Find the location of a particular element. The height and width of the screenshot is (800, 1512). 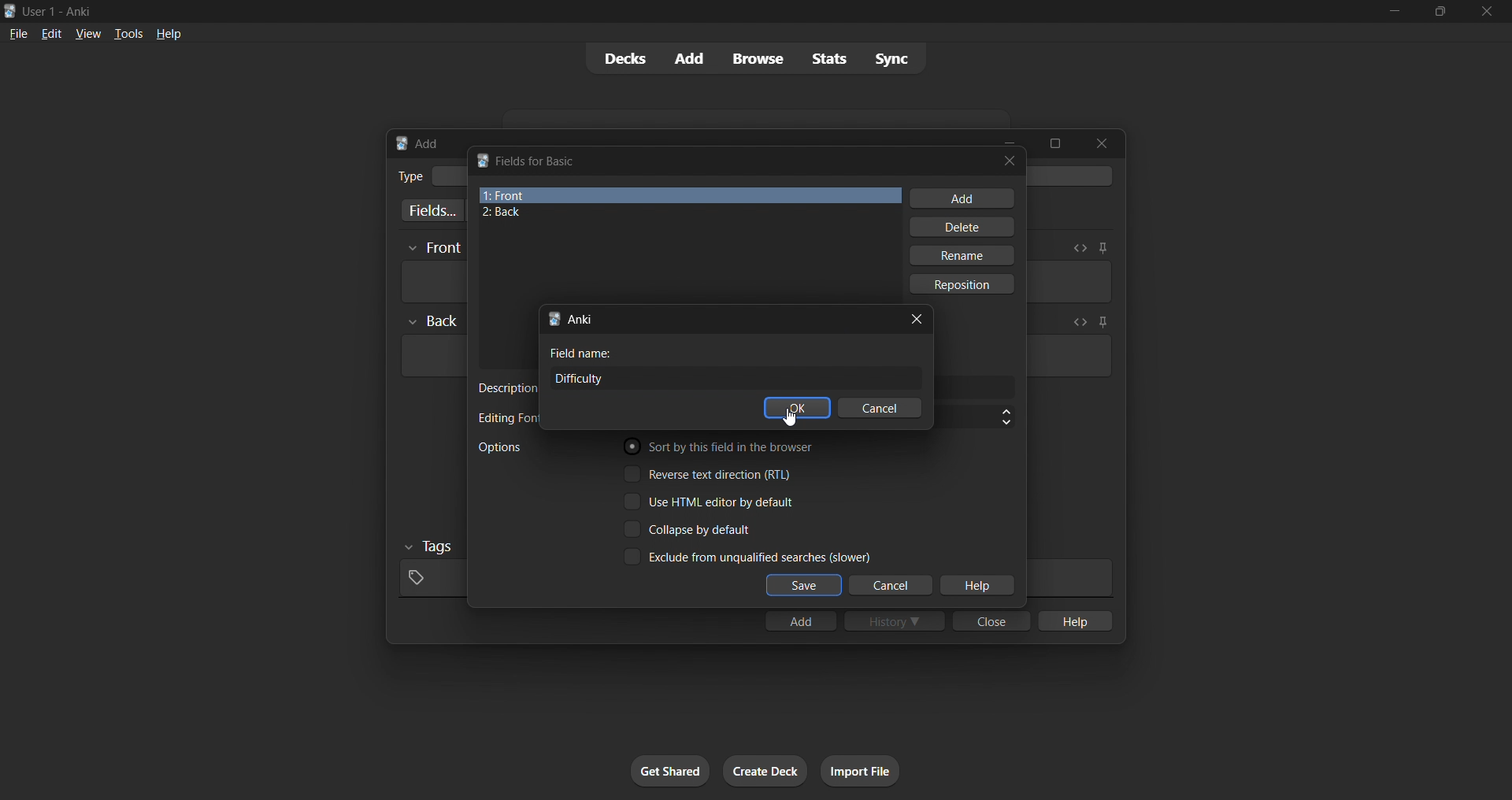

close is located at coordinates (1102, 143).